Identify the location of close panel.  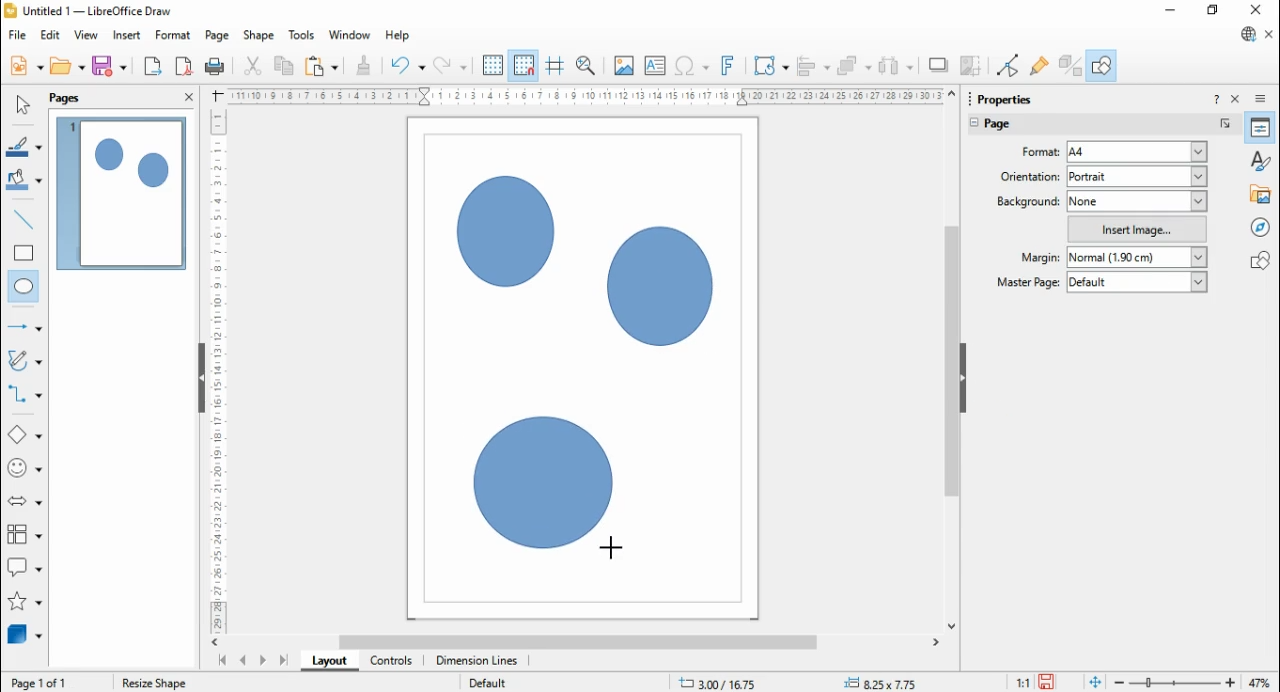
(189, 96).